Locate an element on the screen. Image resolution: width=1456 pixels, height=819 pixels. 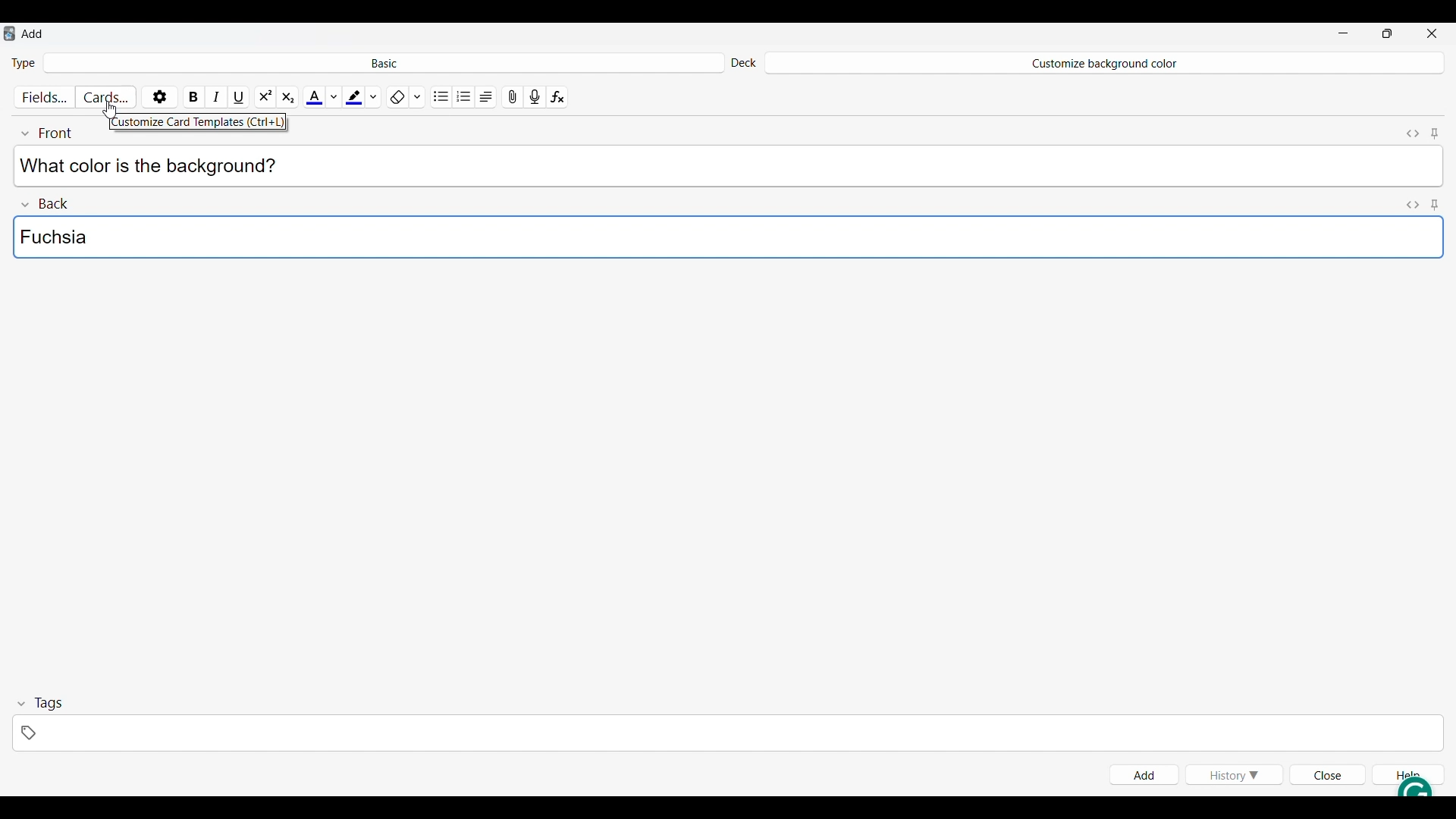
Toggle sticky  is located at coordinates (1434, 132).